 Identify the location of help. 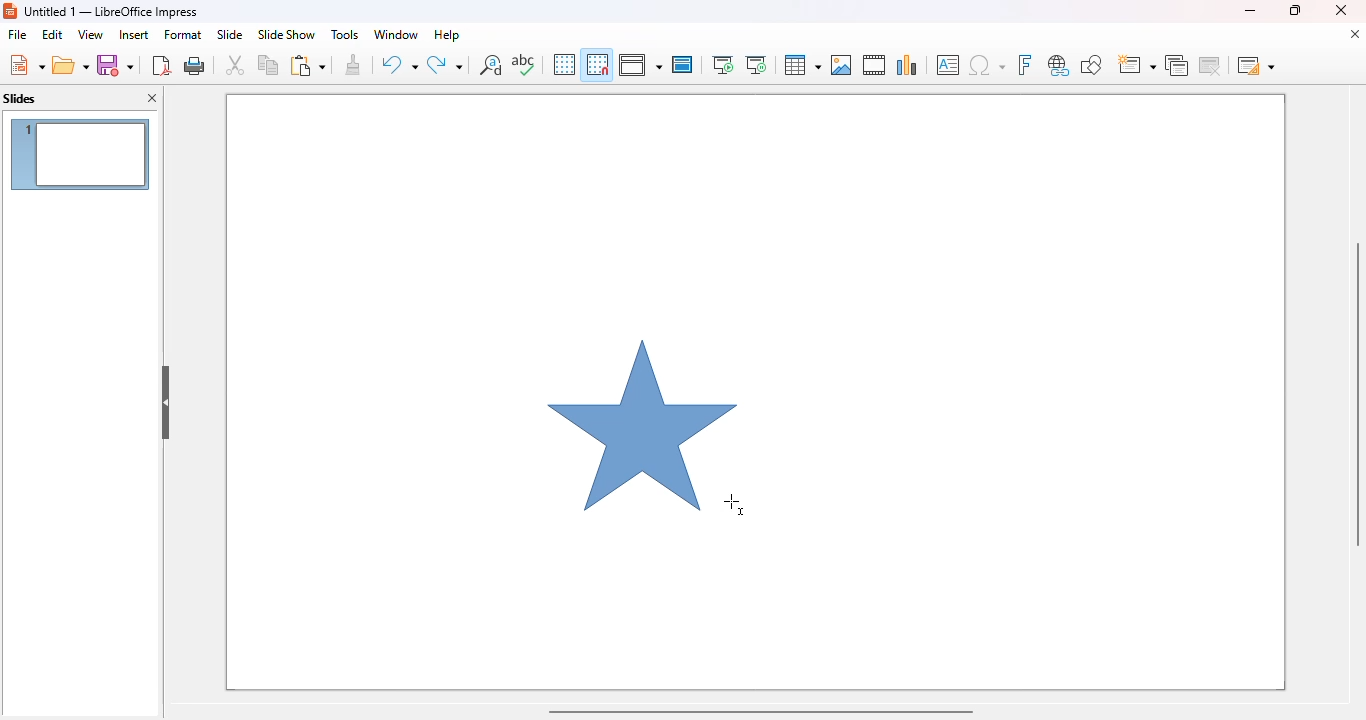
(447, 34).